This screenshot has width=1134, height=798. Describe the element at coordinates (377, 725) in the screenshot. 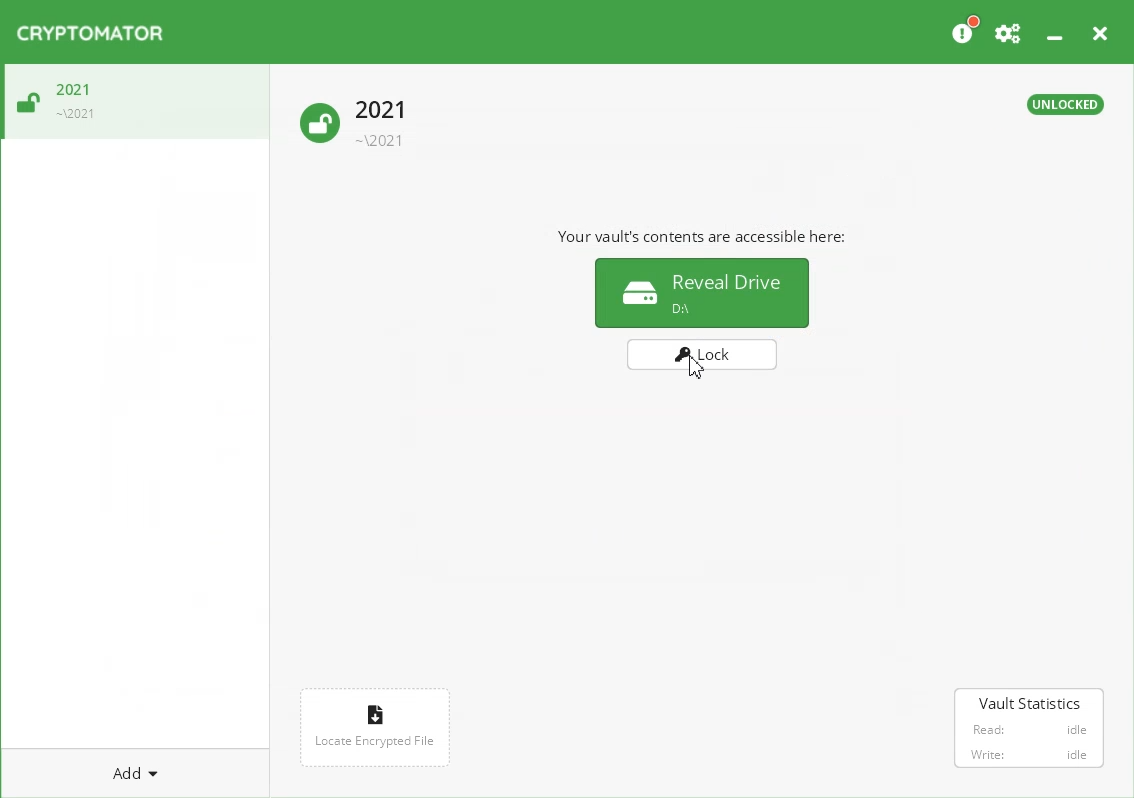

I see `Locate encrypted File` at that location.